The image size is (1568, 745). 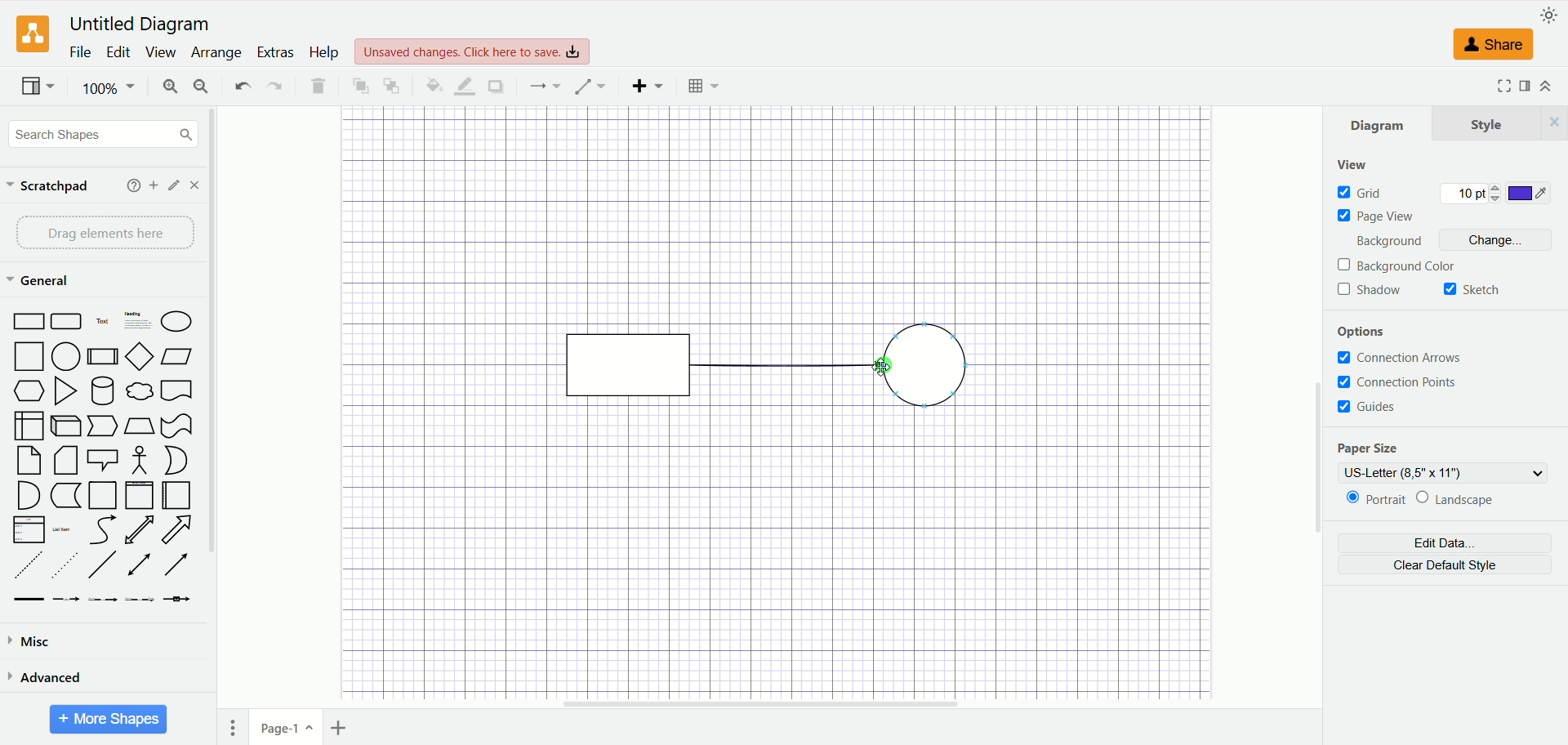 What do you see at coordinates (1445, 565) in the screenshot?
I see `clear default style` at bounding box center [1445, 565].